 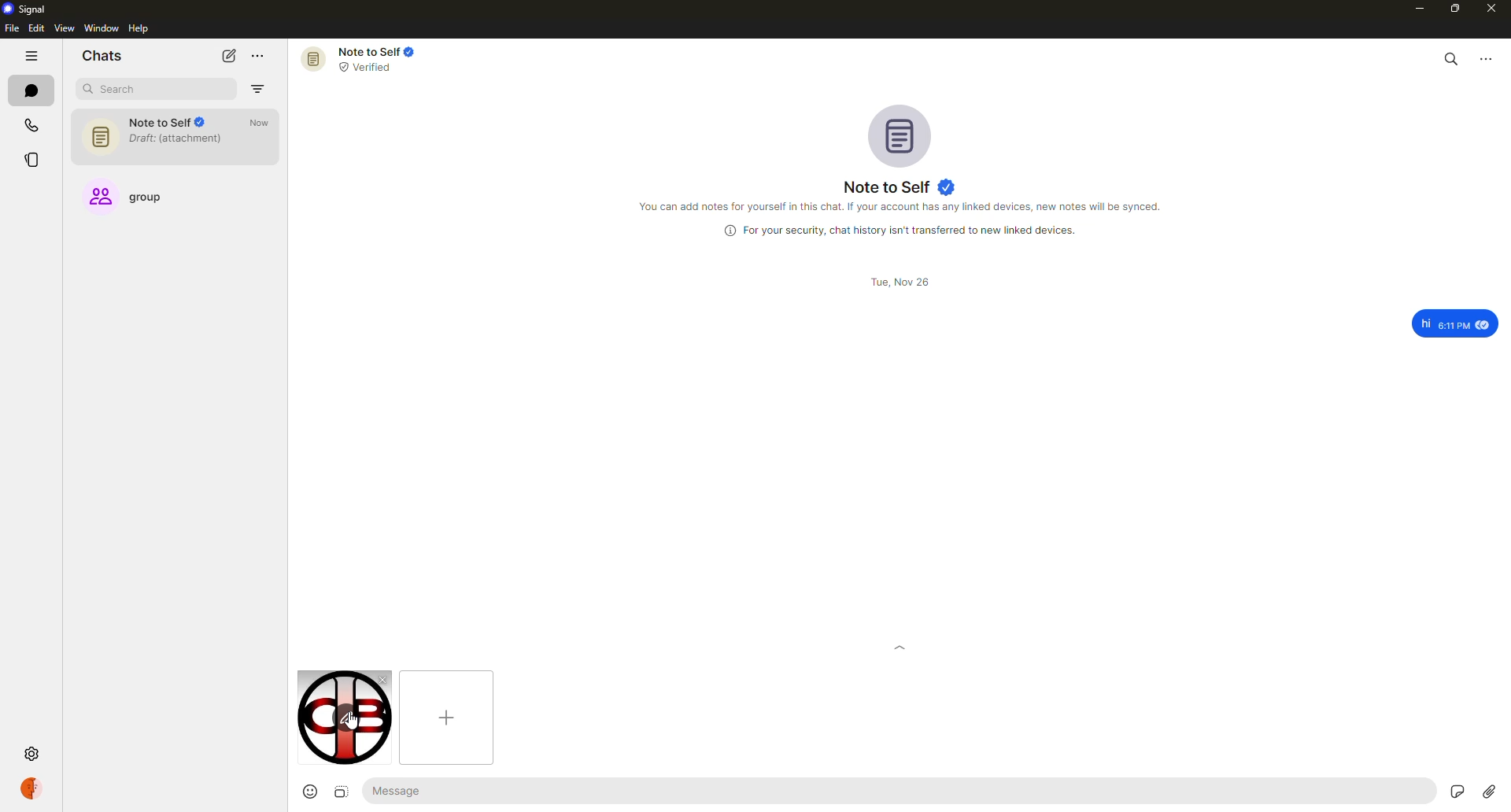 What do you see at coordinates (180, 135) in the screenshot?
I see `note to self` at bounding box center [180, 135].